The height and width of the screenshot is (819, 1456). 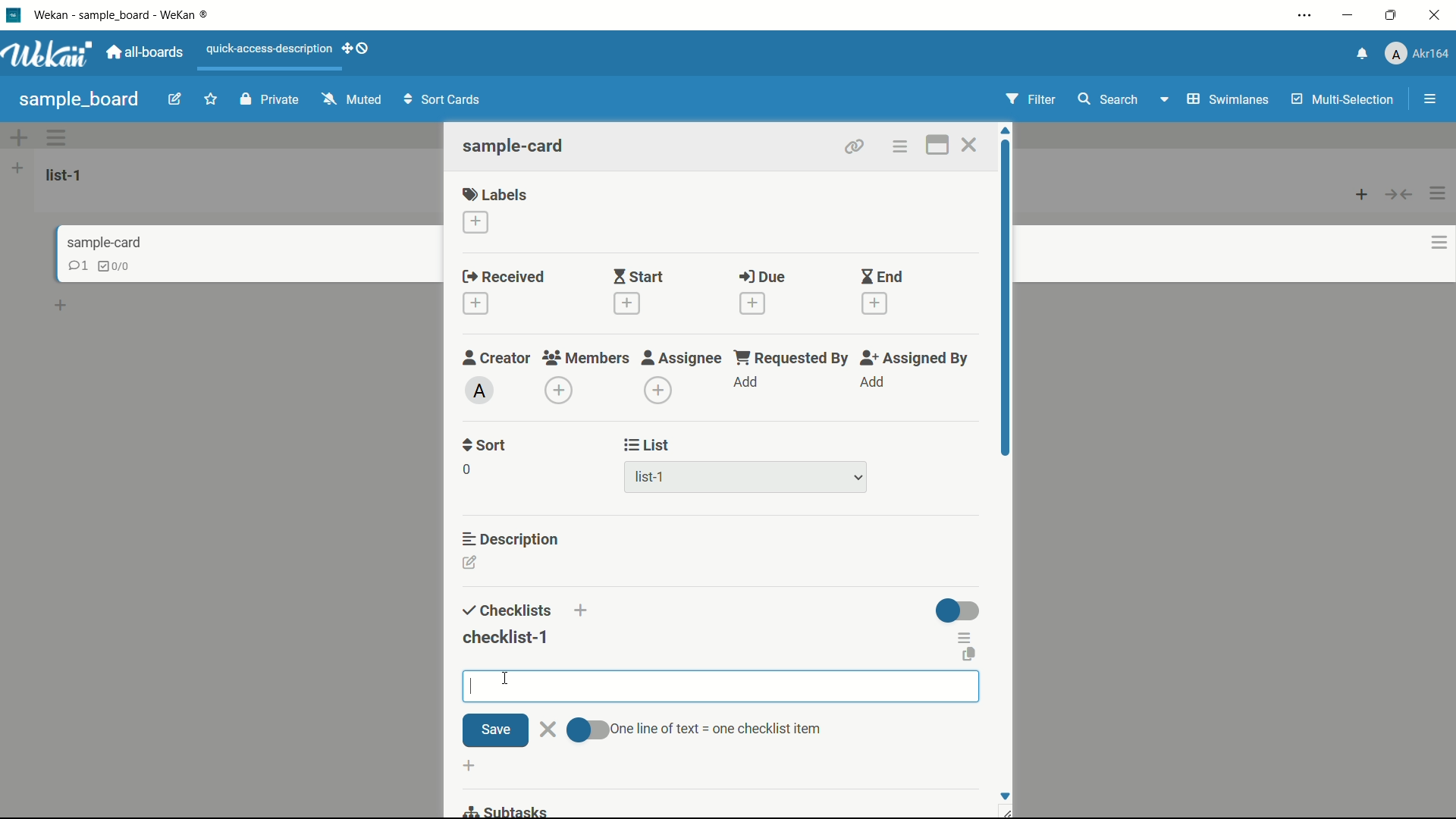 I want to click on admin, so click(x=479, y=391).